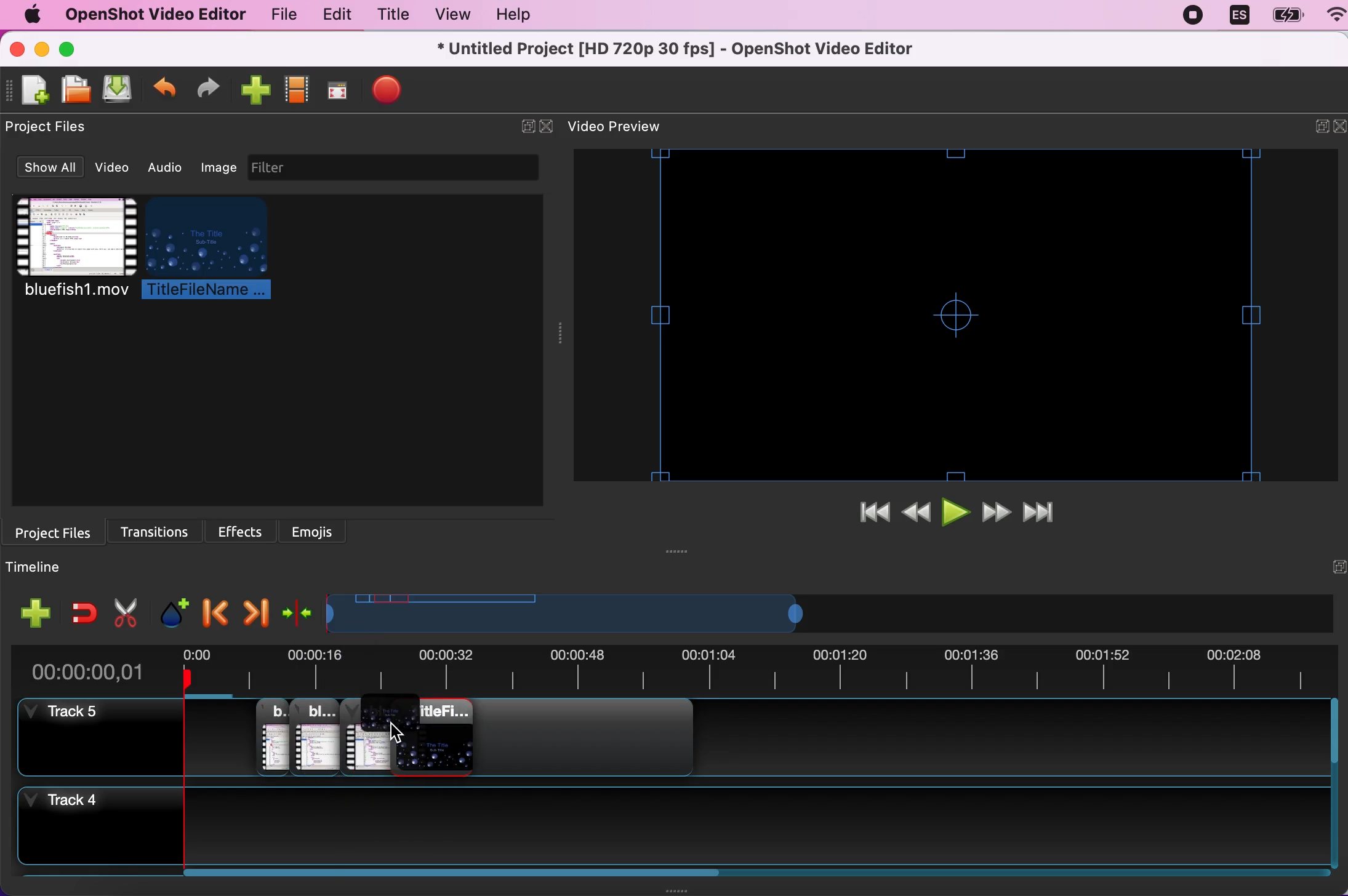  Describe the element at coordinates (998, 514) in the screenshot. I see `fast forward` at that location.